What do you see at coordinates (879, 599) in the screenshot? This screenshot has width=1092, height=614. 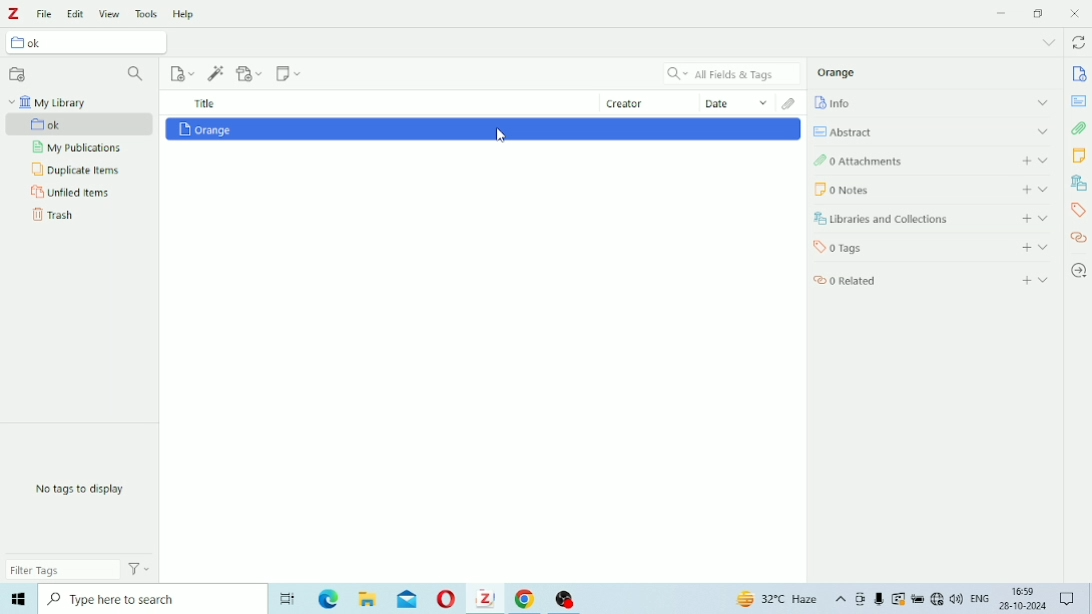 I see `Mic` at bounding box center [879, 599].